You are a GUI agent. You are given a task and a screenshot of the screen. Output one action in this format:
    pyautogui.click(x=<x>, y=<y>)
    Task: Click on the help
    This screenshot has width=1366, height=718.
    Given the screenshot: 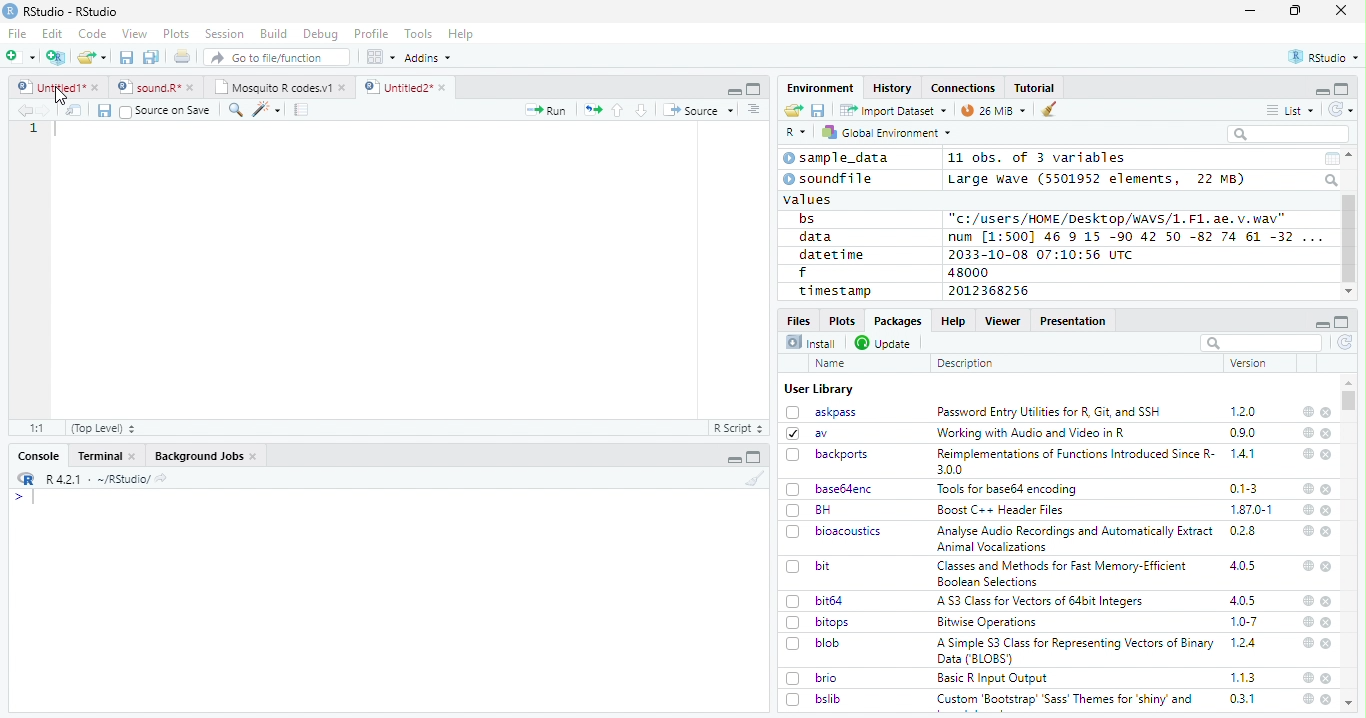 What is the action you would take?
    pyautogui.click(x=1308, y=489)
    